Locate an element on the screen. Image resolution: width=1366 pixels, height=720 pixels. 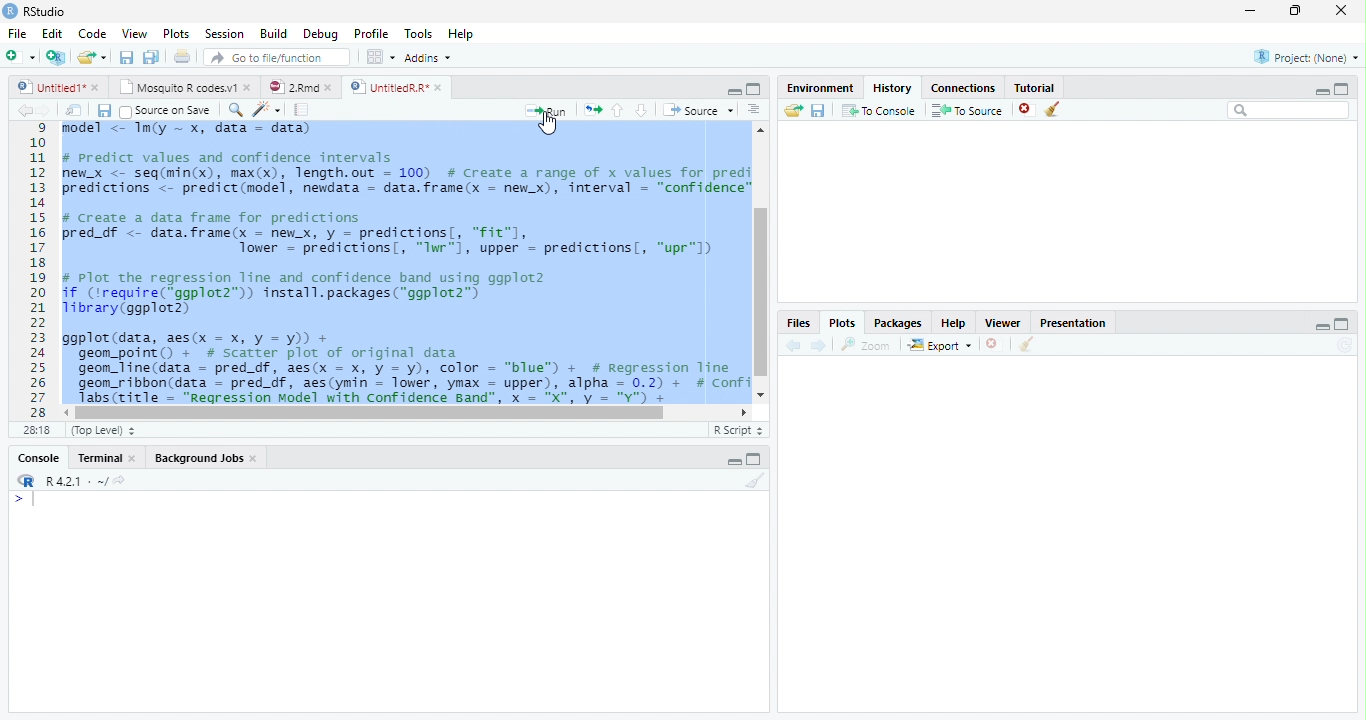
Next is located at coordinates (44, 111).